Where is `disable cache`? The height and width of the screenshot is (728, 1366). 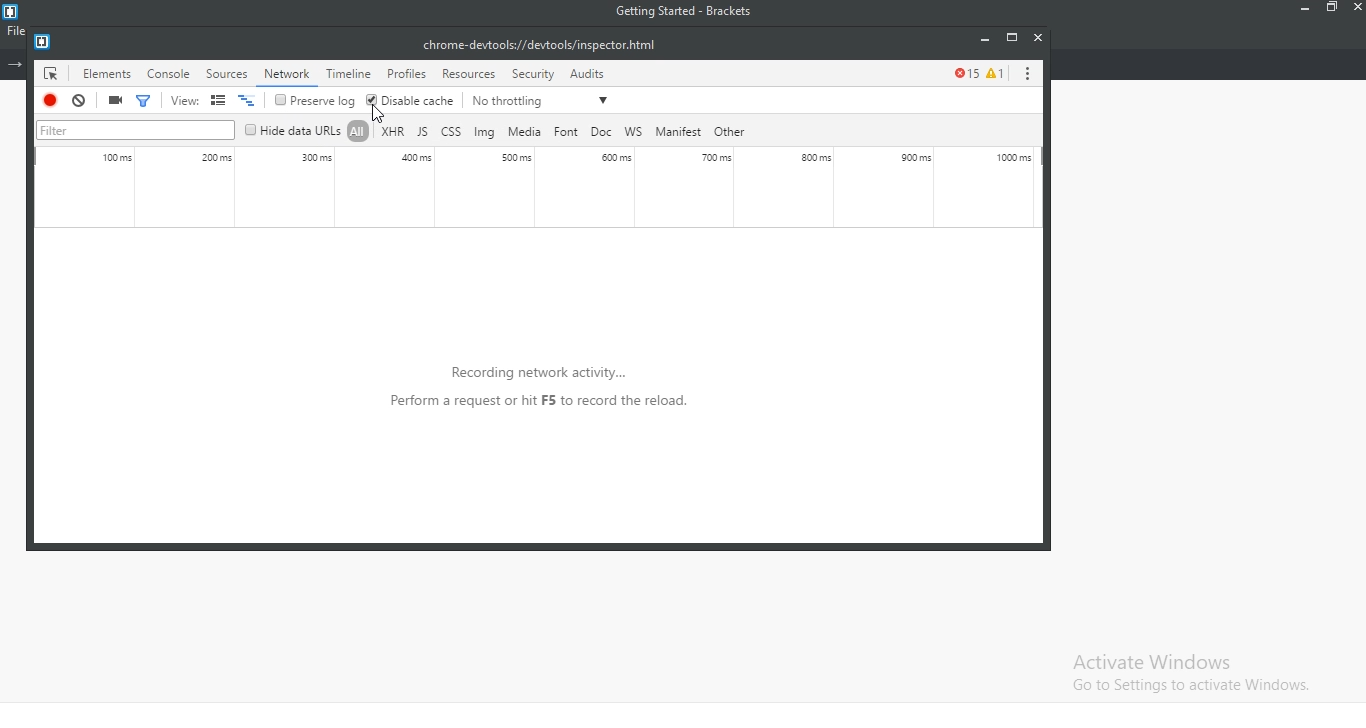 disable cache is located at coordinates (409, 100).